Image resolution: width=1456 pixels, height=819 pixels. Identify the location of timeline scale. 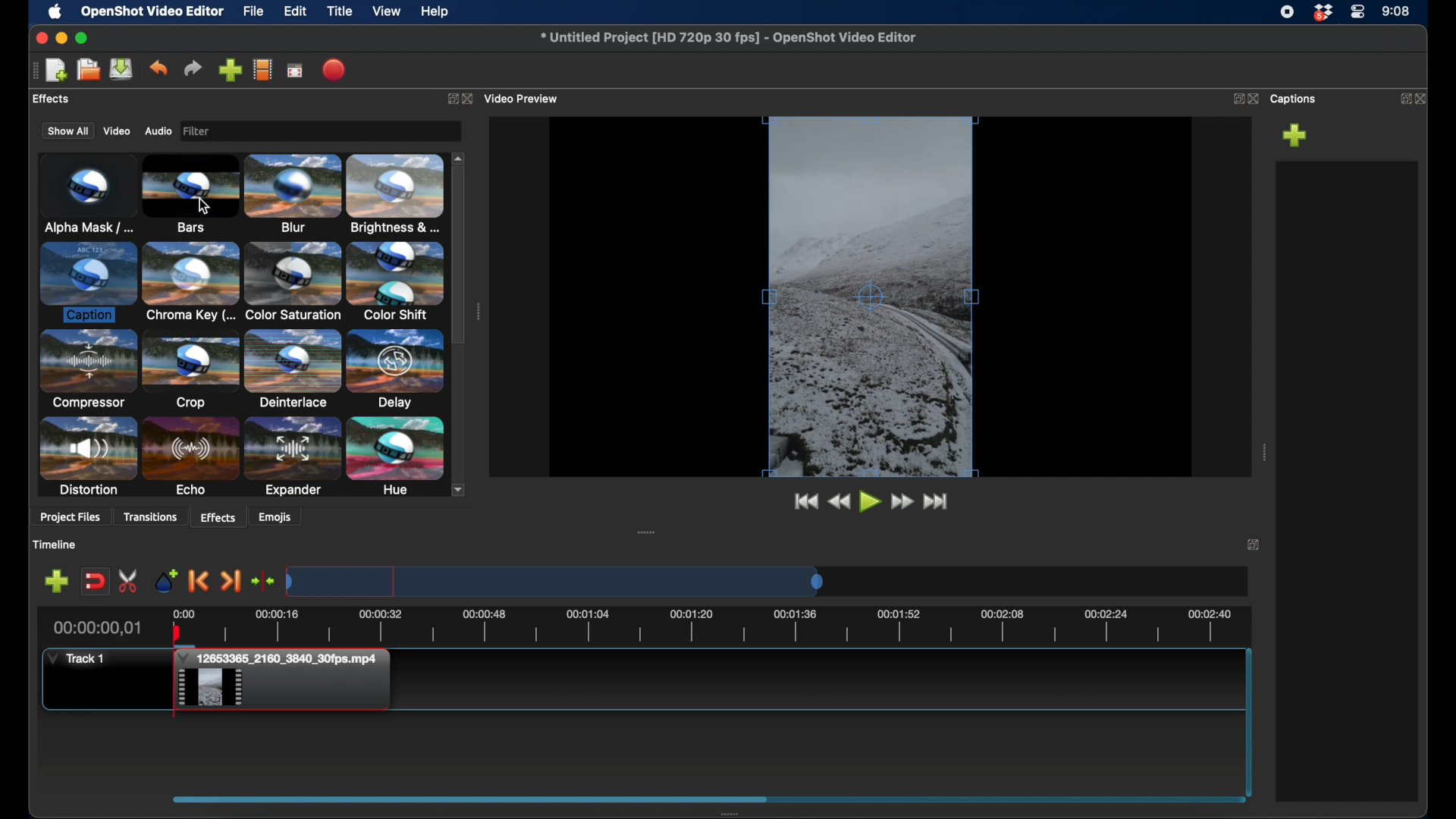
(554, 581).